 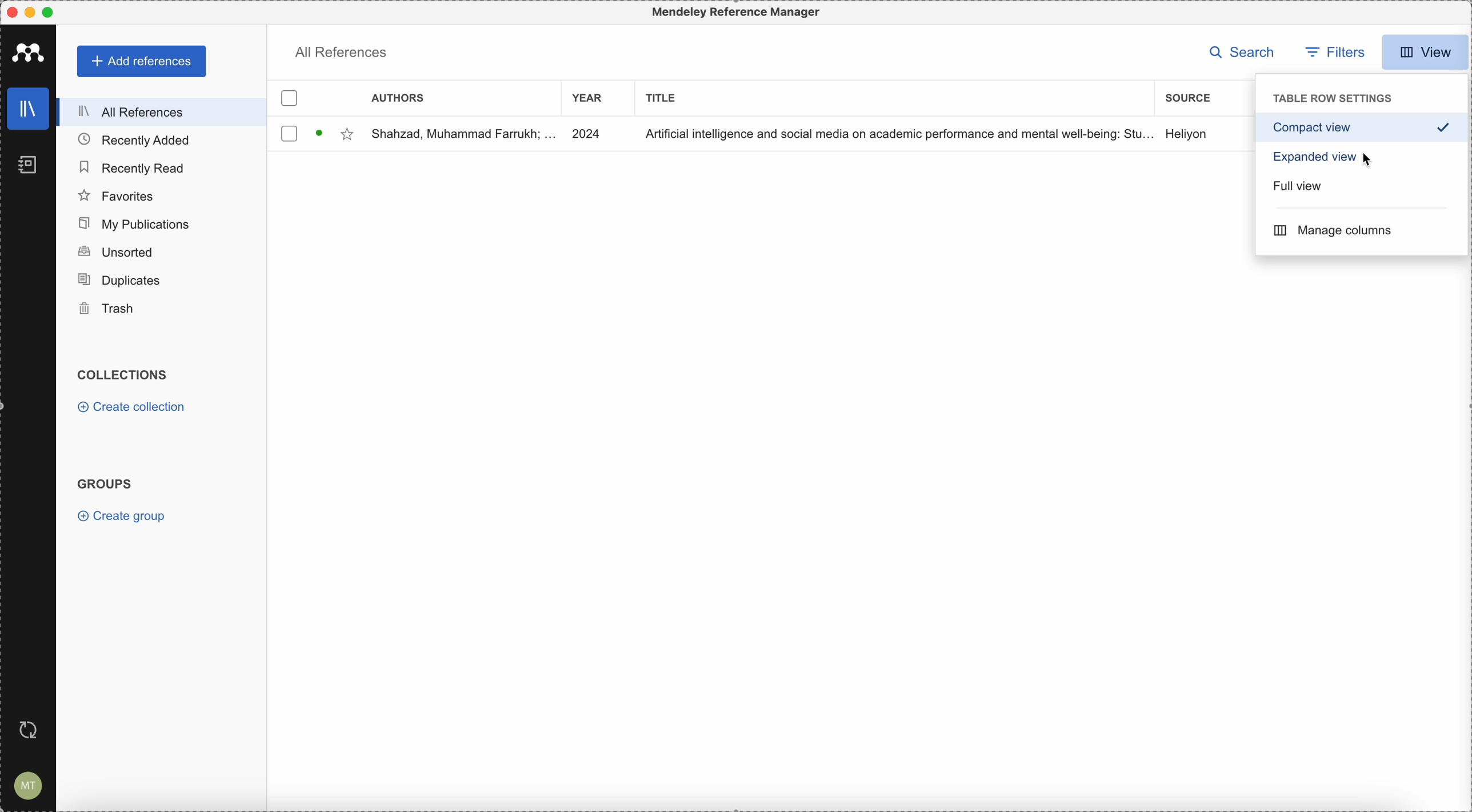 I want to click on close Mendeley, so click(x=14, y=13).